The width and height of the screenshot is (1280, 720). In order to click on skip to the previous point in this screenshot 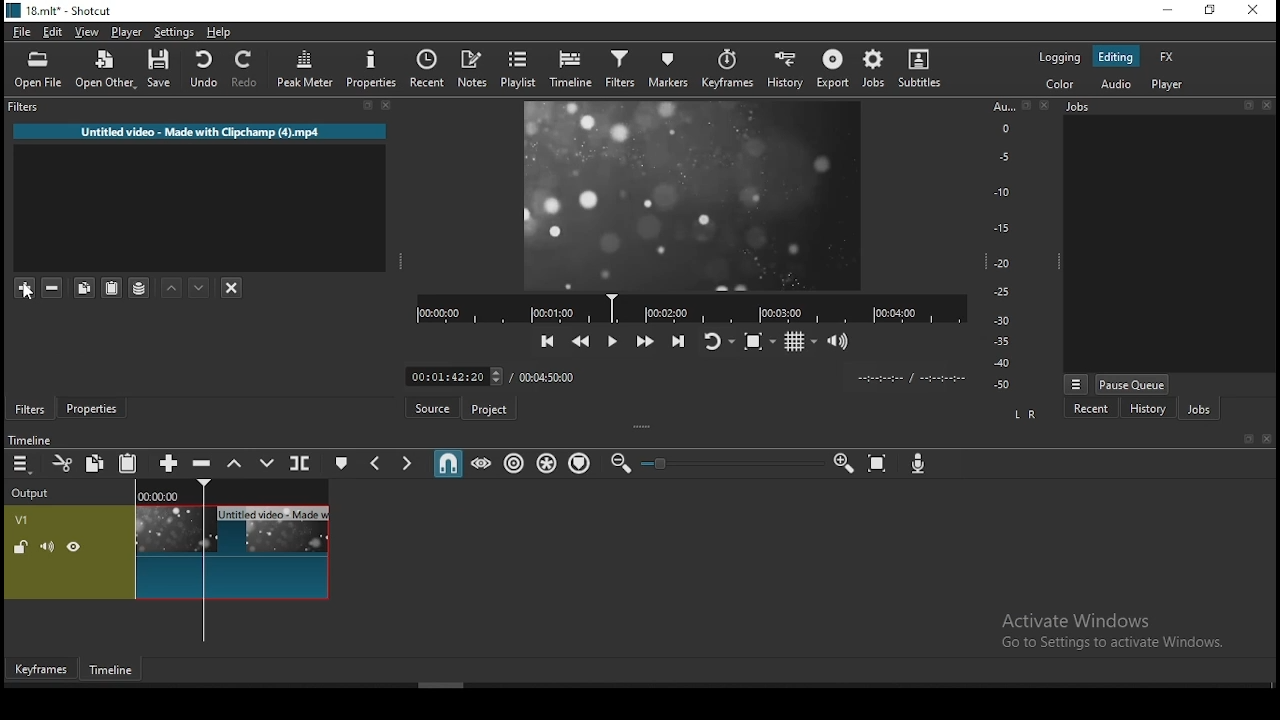, I will do `click(548, 341)`.